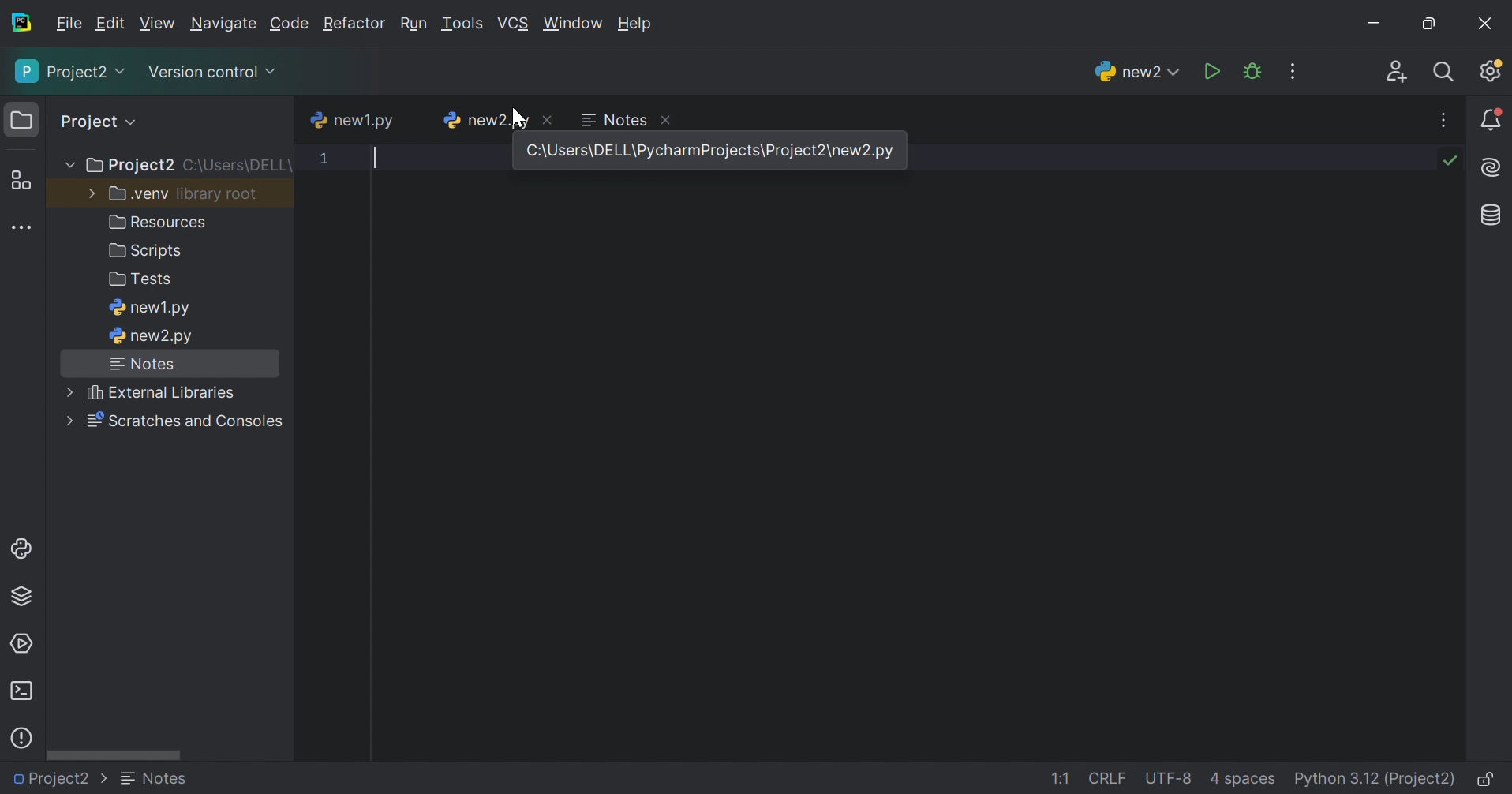 The image size is (1512, 794). Describe the element at coordinates (168, 781) in the screenshot. I see `new2.py` at that location.